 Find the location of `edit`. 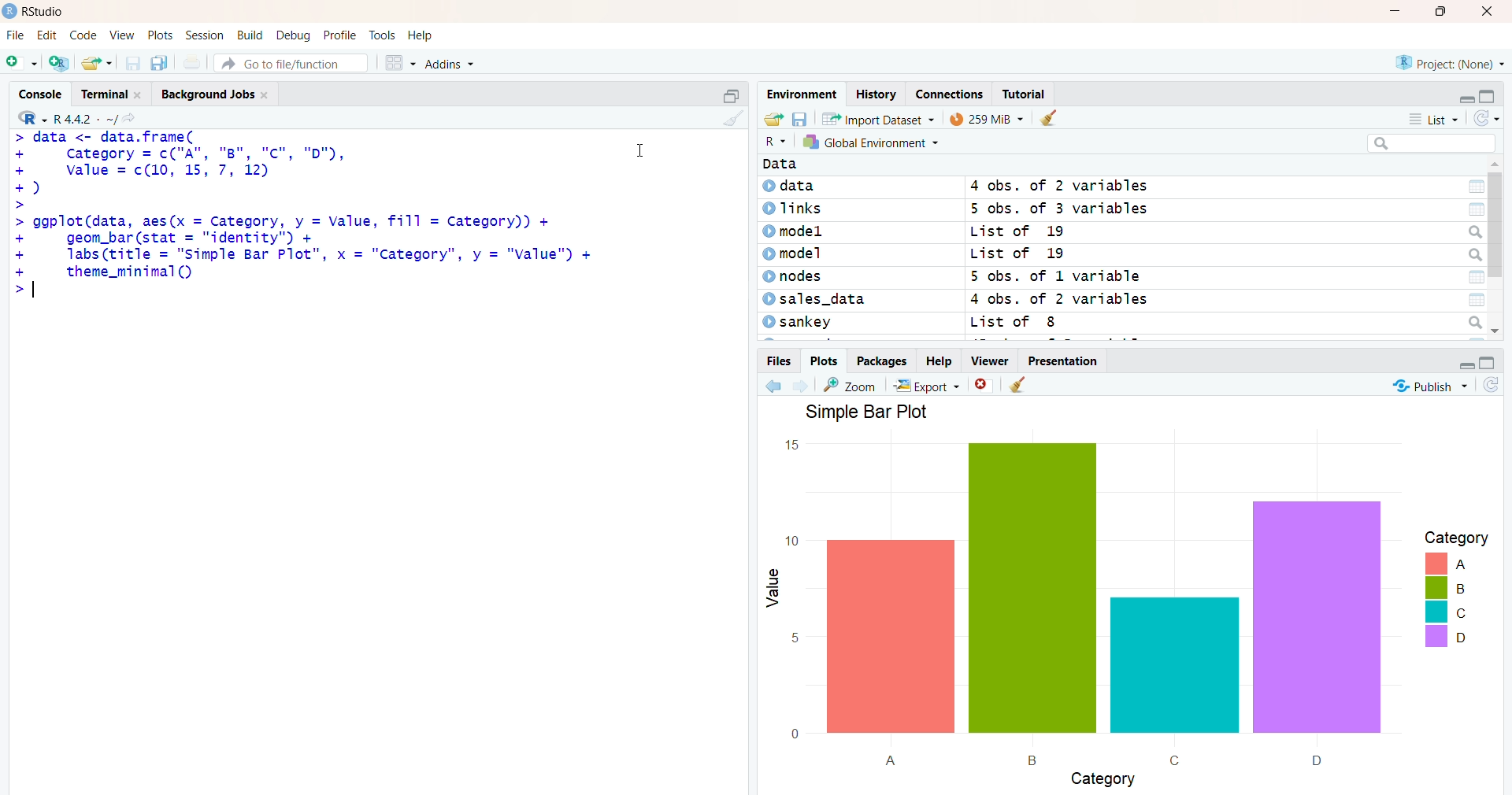

edit is located at coordinates (47, 35).